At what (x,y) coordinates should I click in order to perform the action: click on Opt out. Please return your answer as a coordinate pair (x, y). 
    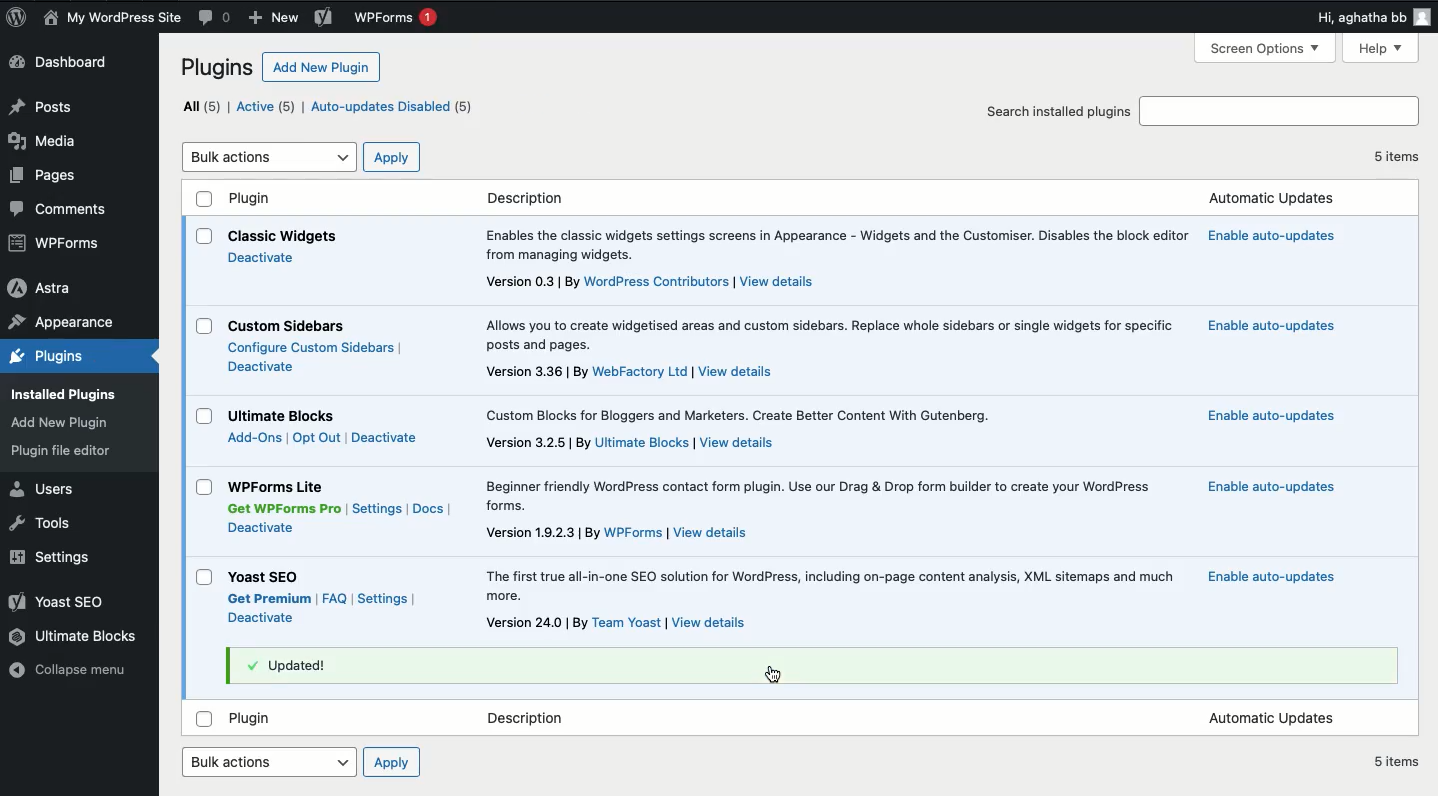
    Looking at the image, I should click on (316, 438).